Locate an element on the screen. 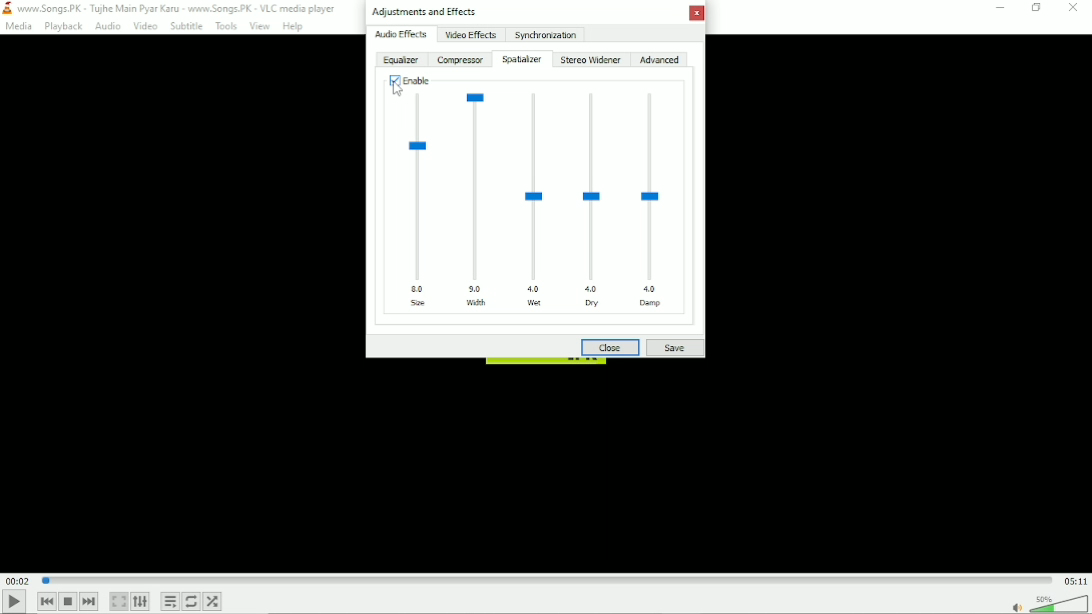  Video is located at coordinates (145, 26).